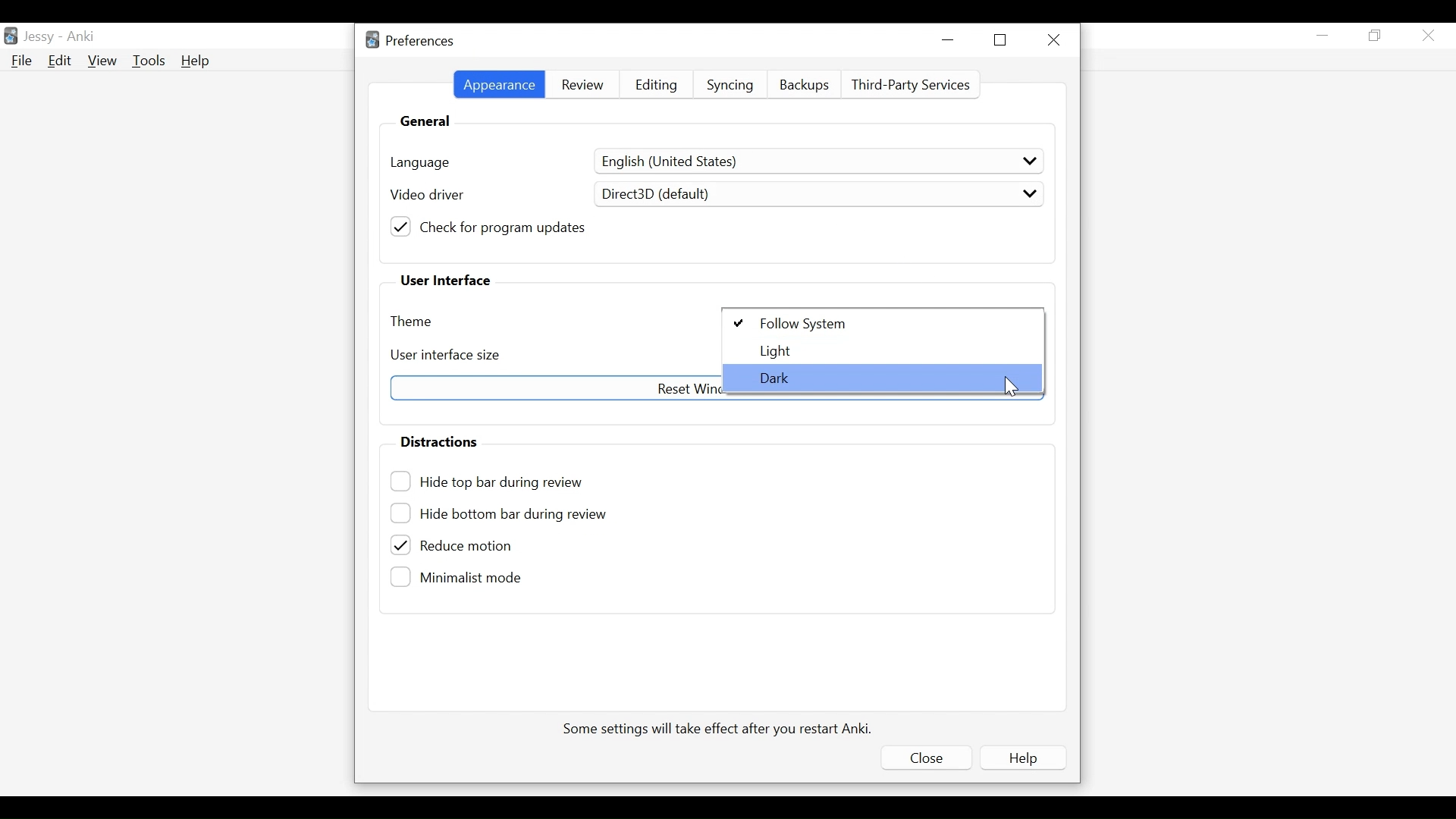 Image resolution: width=1456 pixels, height=819 pixels. I want to click on Cursor, so click(1010, 384).